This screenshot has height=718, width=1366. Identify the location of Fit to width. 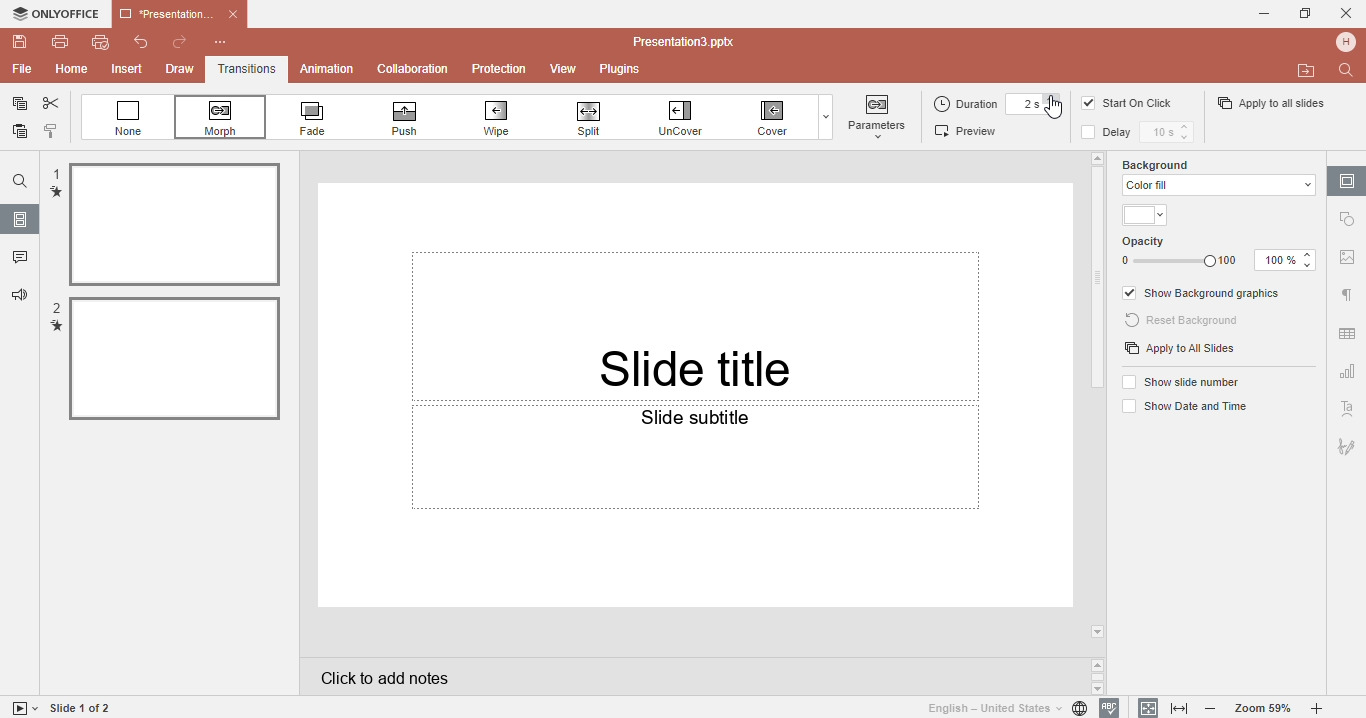
(1181, 709).